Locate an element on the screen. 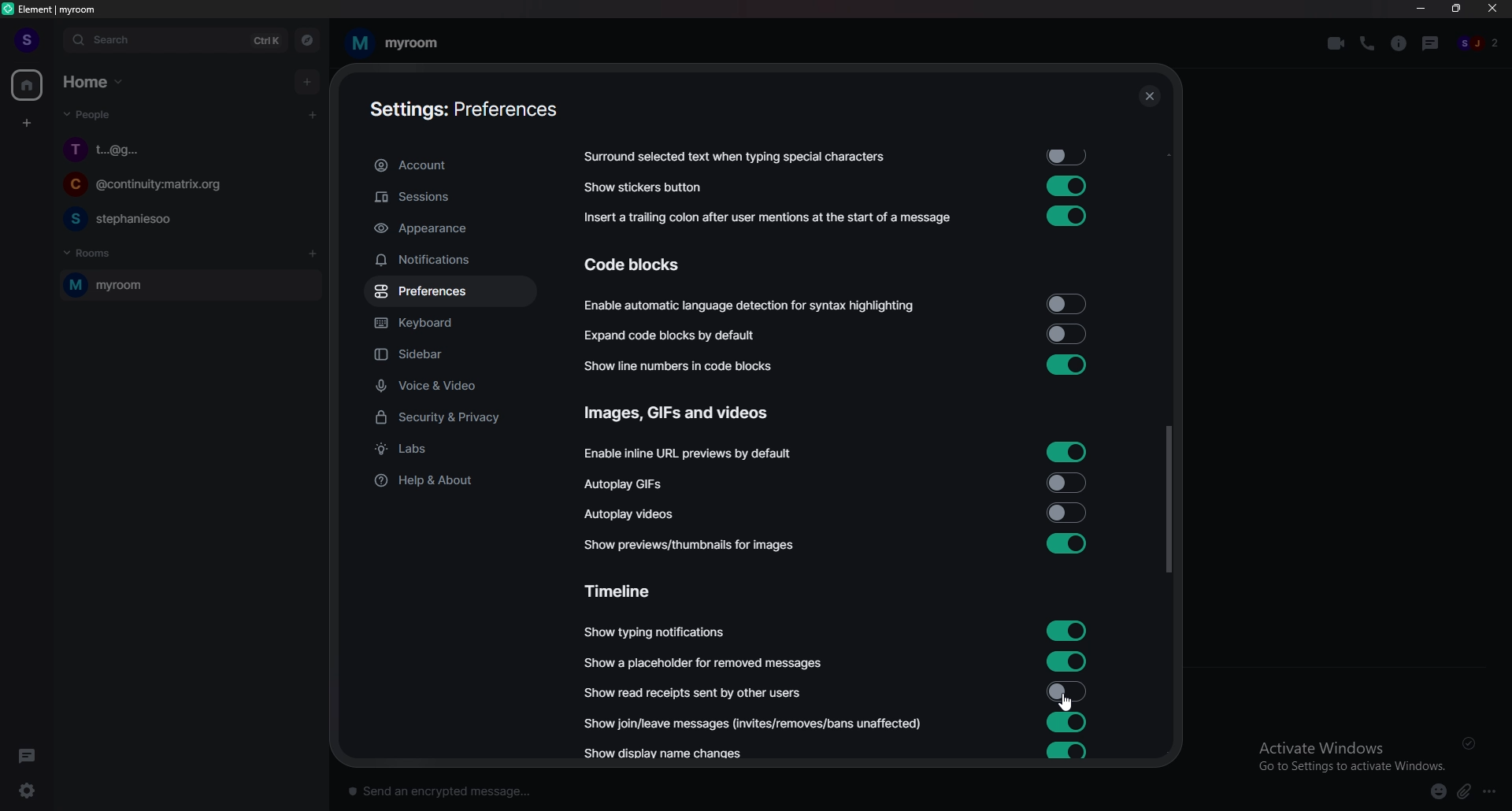  show display name changes is located at coordinates (670, 755).